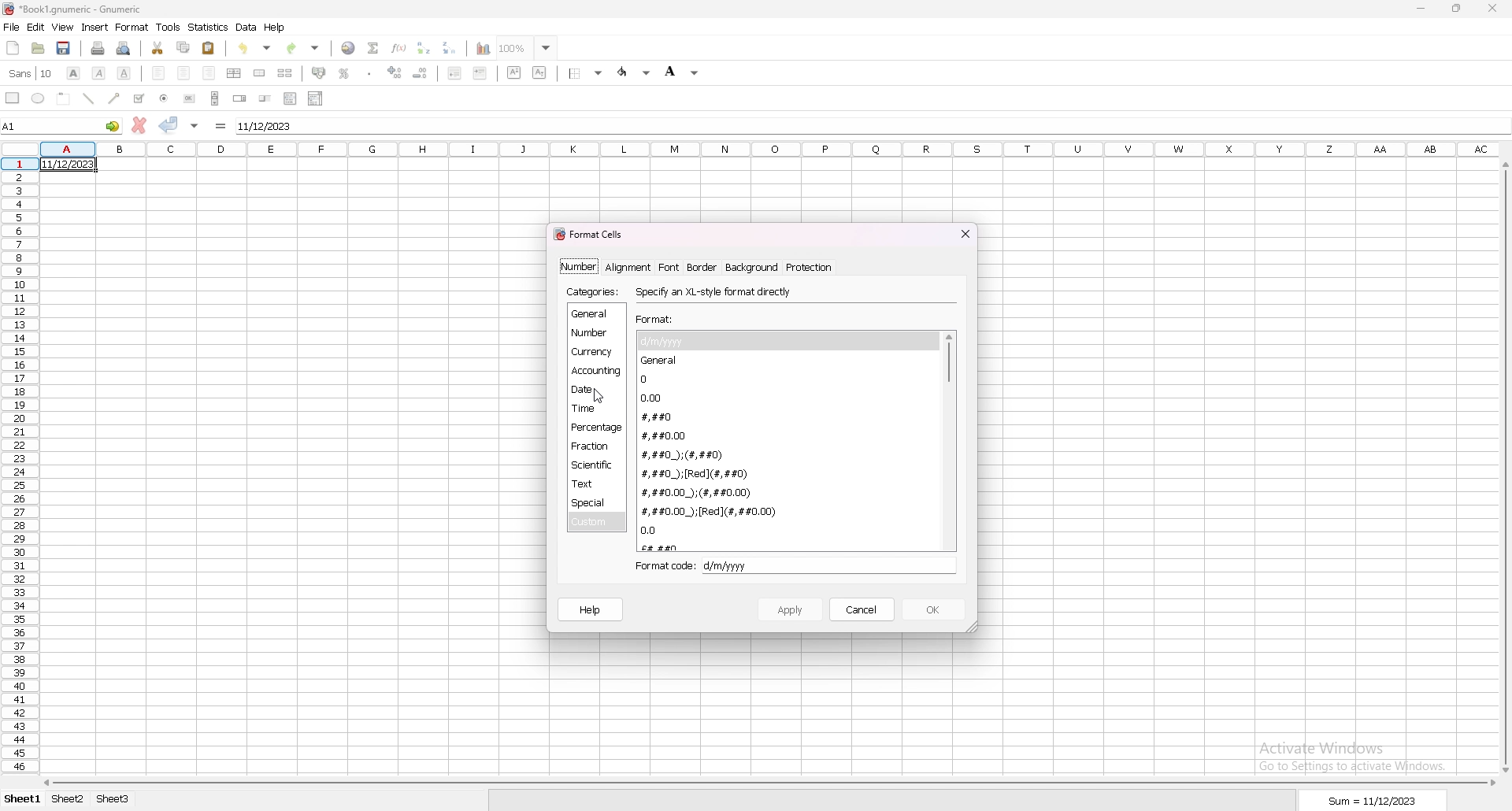 The width and height of the screenshot is (1512, 811). Describe the element at coordinates (139, 125) in the screenshot. I see `cancel changes` at that location.